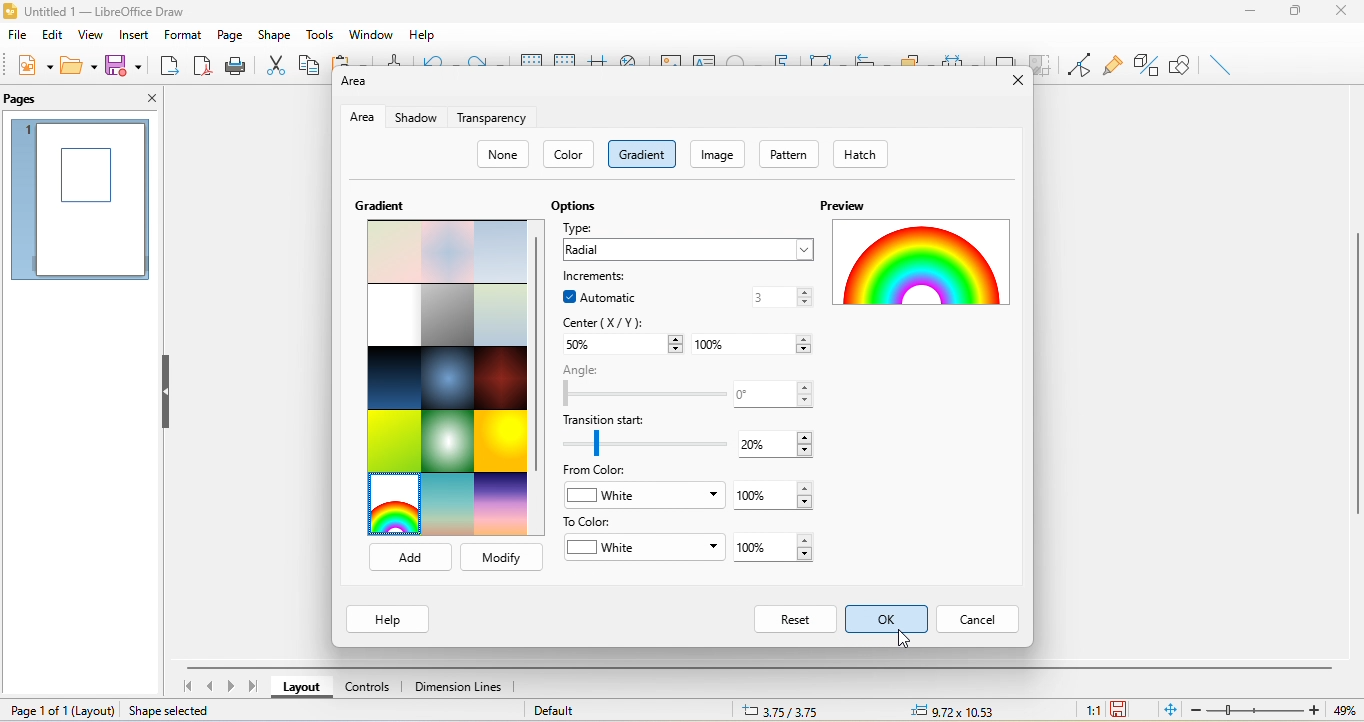  Describe the element at coordinates (1182, 62) in the screenshot. I see `show draw function` at that location.